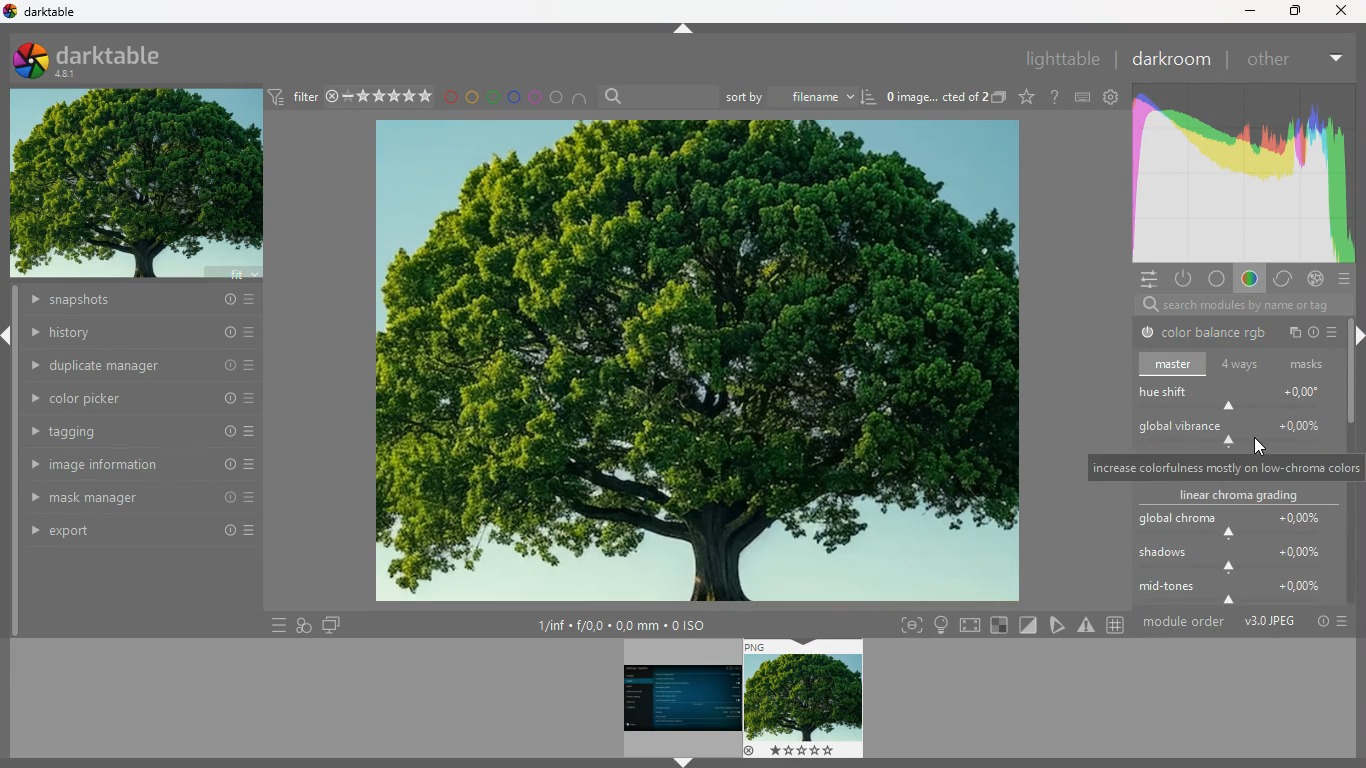 The image size is (1366, 768). I want to click on doubt, so click(1056, 97).